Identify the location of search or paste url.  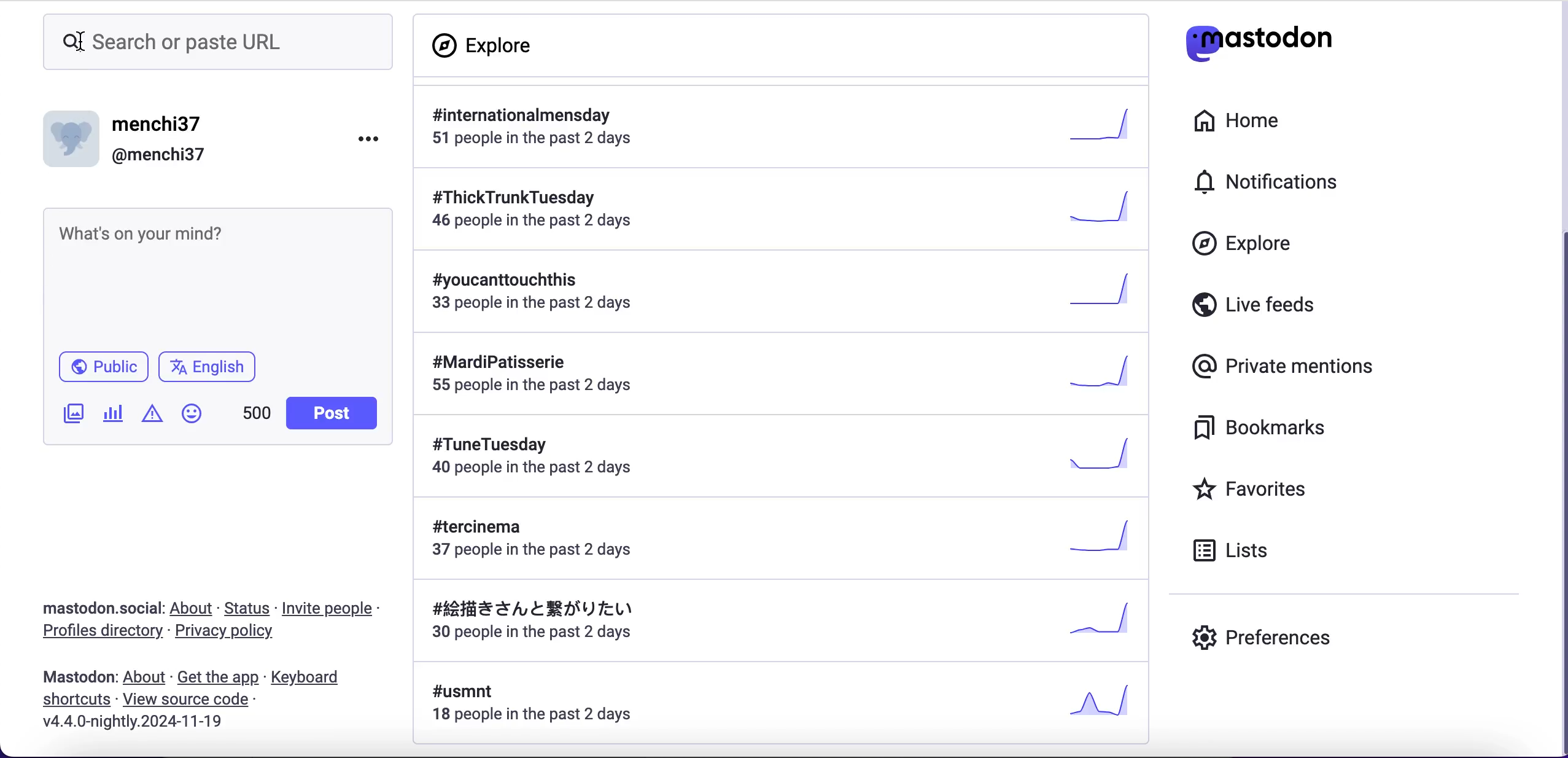
(214, 43).